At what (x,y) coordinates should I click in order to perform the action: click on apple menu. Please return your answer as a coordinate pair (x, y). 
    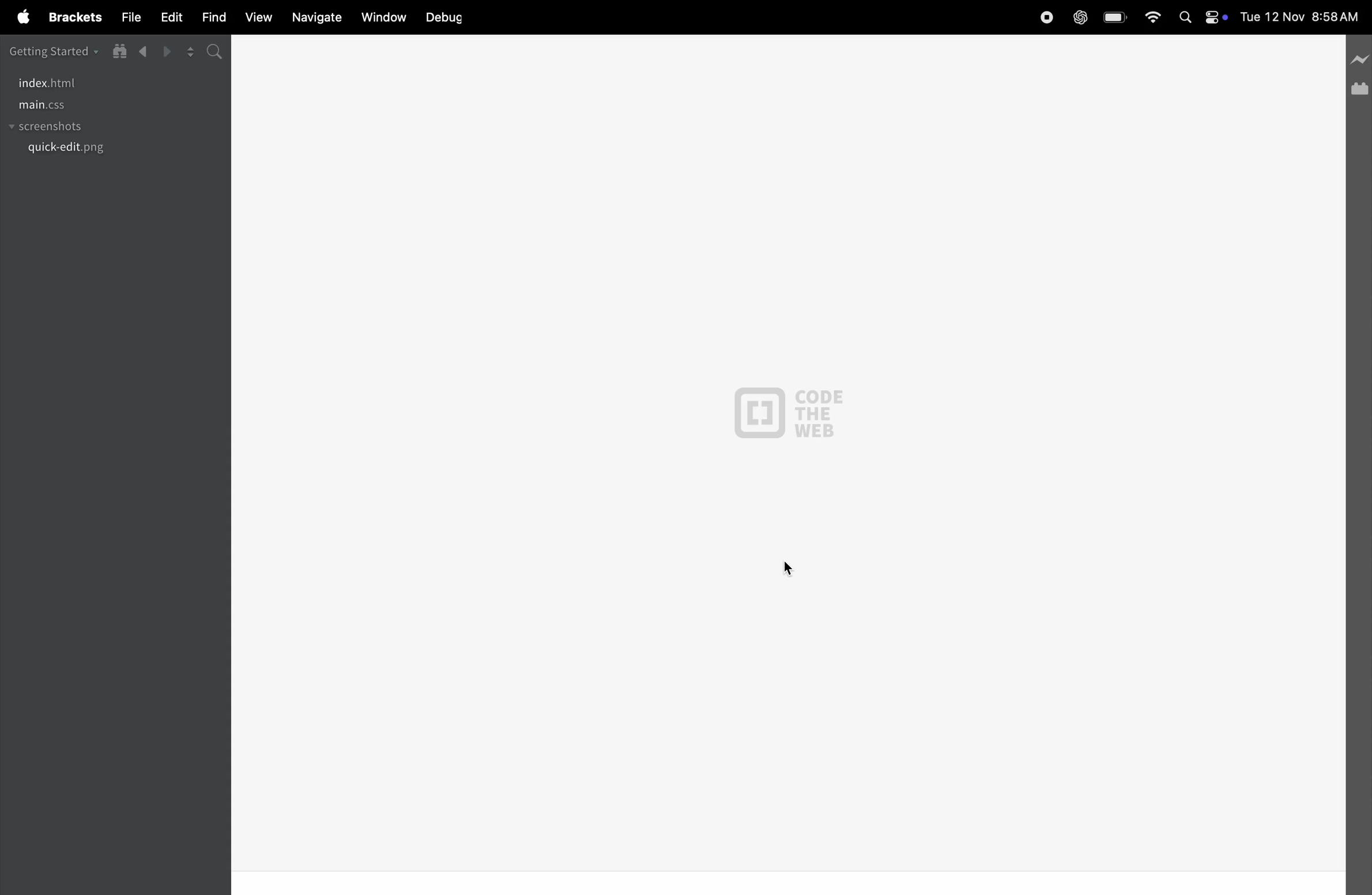
    Looking at the image, I should click on (17, 18).